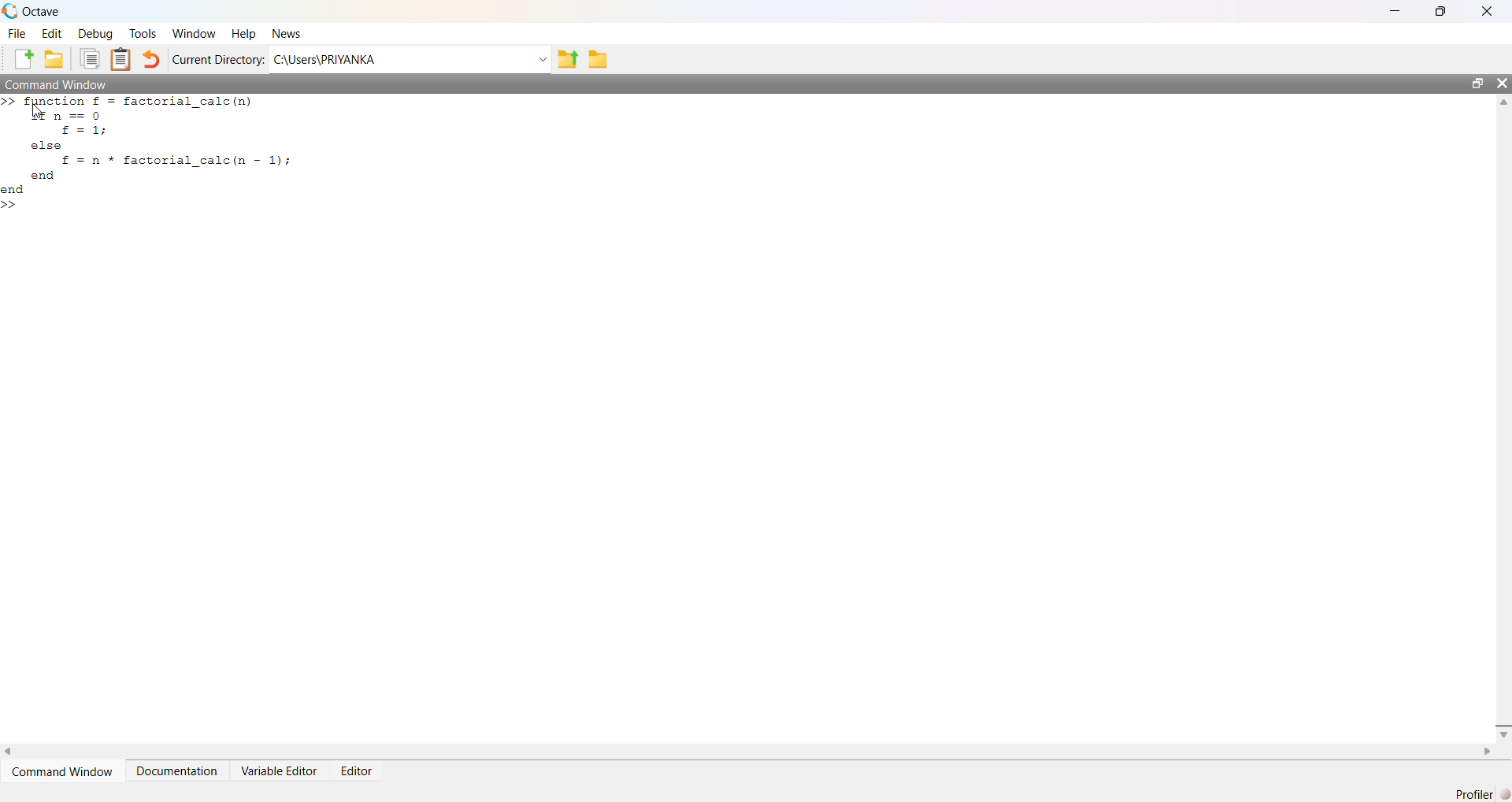 The width and height of the screenshot is (1512, 802). I want to click on Profiler, so click(1481, 793).